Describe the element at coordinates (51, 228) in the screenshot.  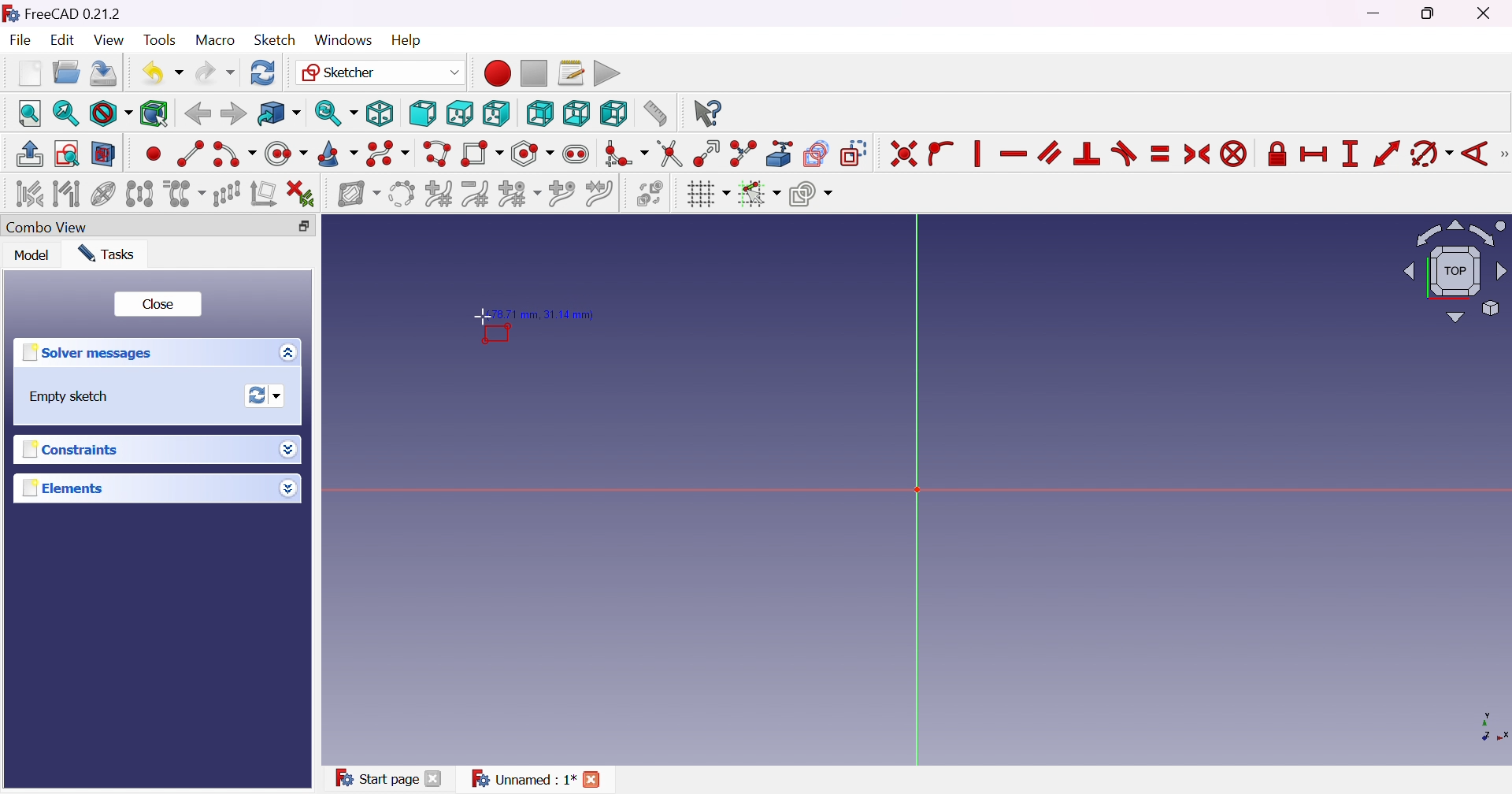
I see `Combo` at that location.